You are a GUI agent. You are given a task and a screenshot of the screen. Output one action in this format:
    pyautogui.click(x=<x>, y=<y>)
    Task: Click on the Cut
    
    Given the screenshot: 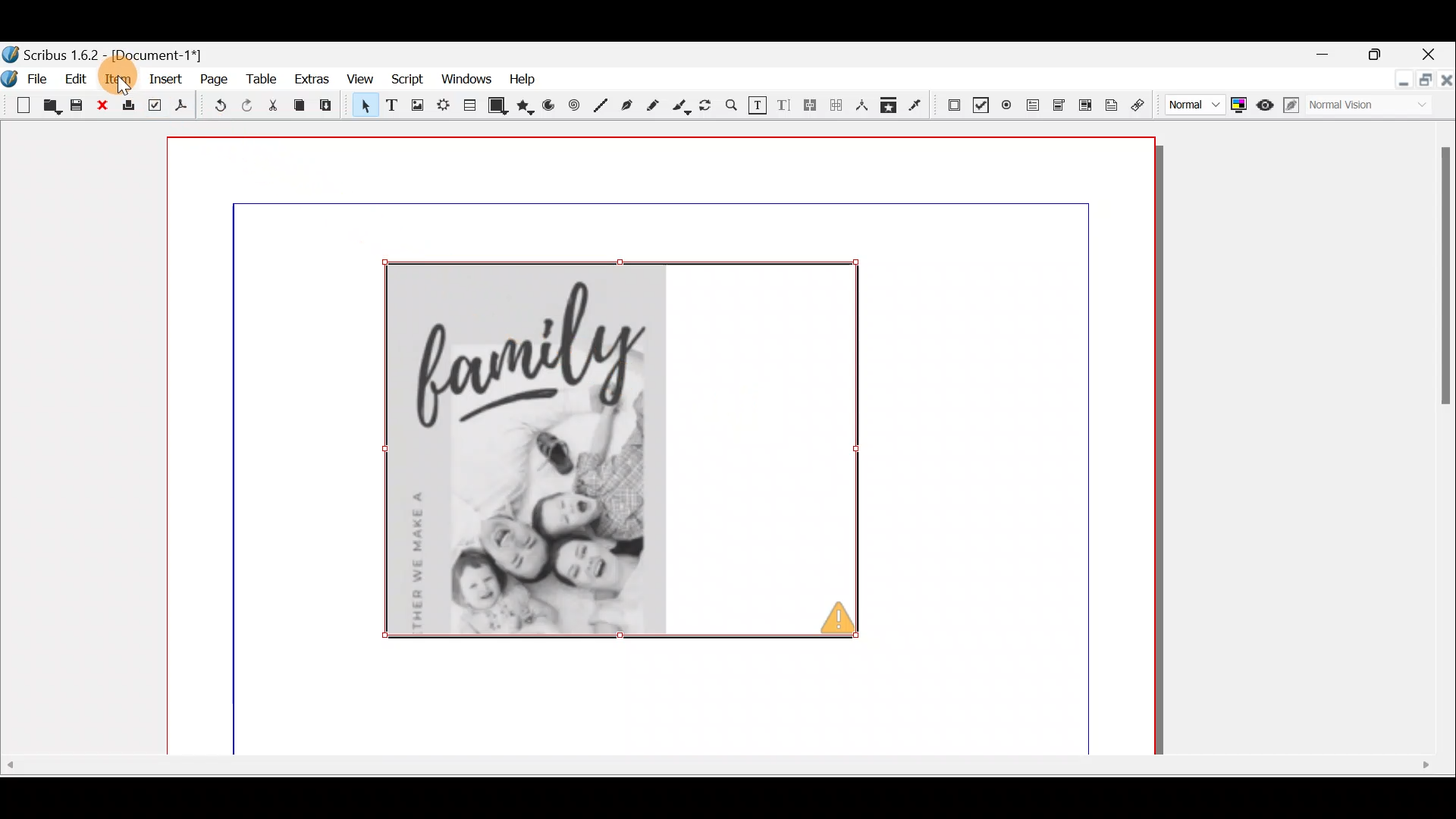 What is the action you would take?
    pyautogui.click(x=277, y=105)
    